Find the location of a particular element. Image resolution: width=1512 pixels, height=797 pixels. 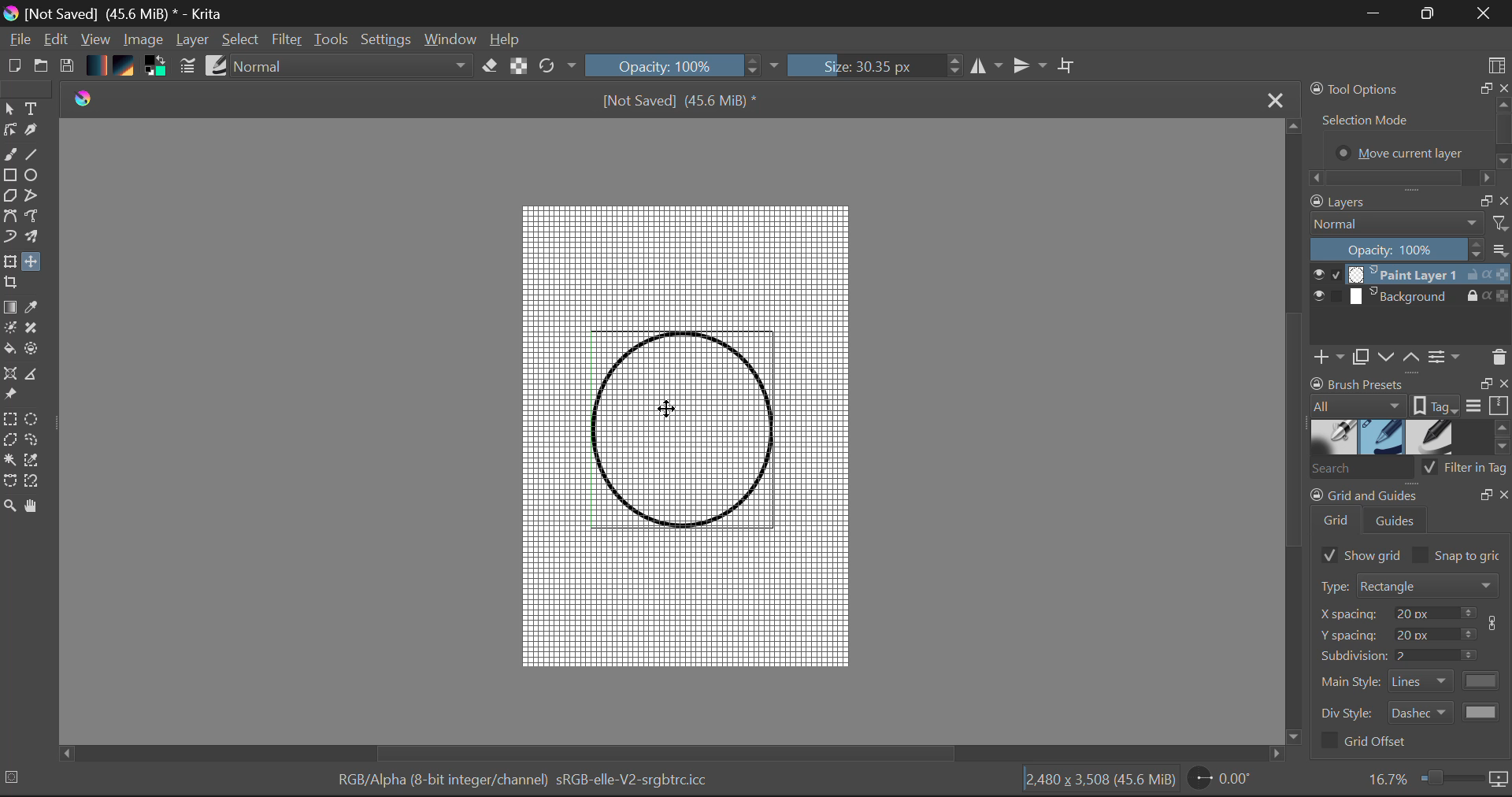

Choose Workspace is located at coordinates (1498, 64).